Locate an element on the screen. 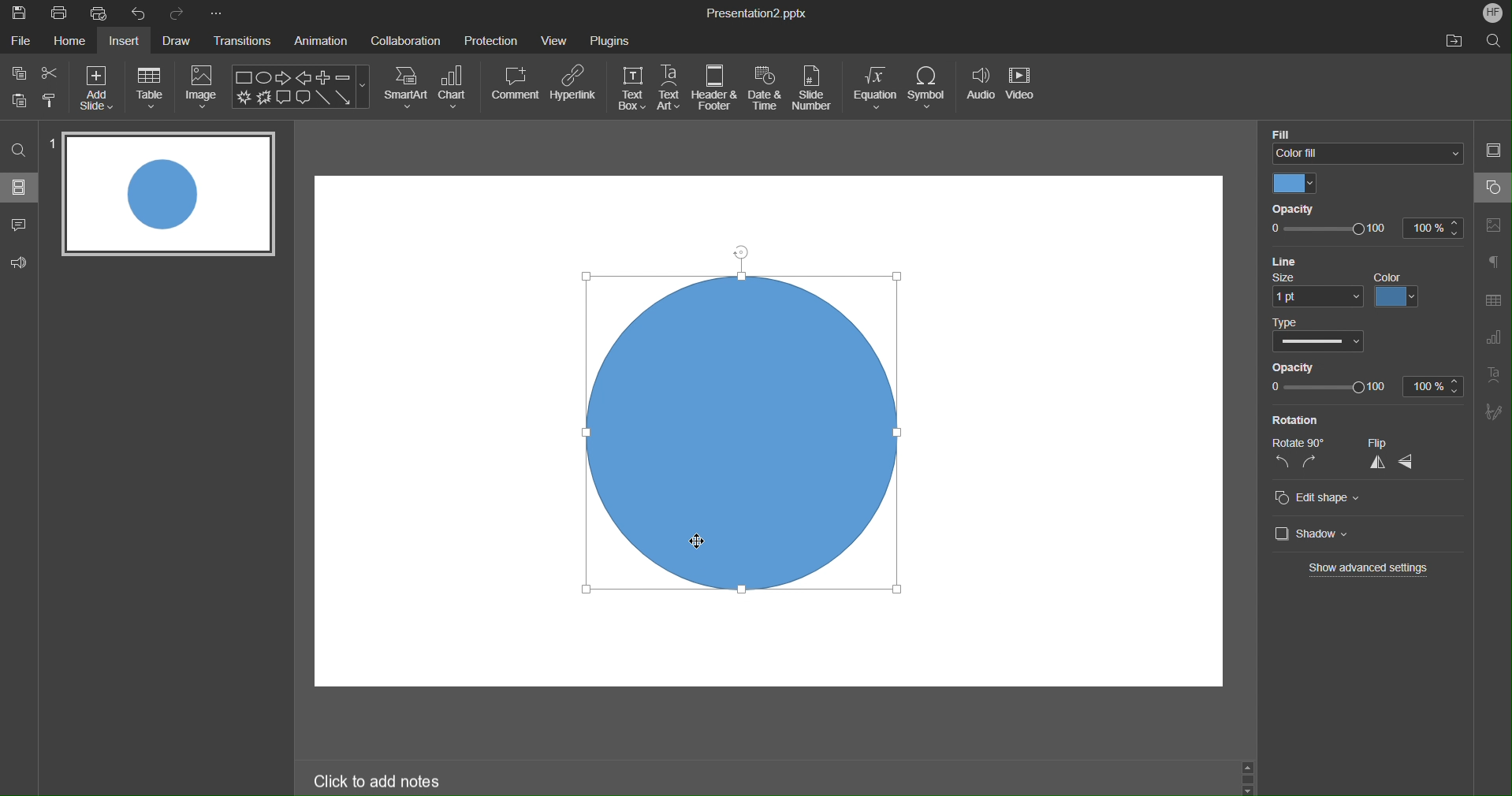 The image size is (1512, 796). Equation is located at coordinates (875, 88).